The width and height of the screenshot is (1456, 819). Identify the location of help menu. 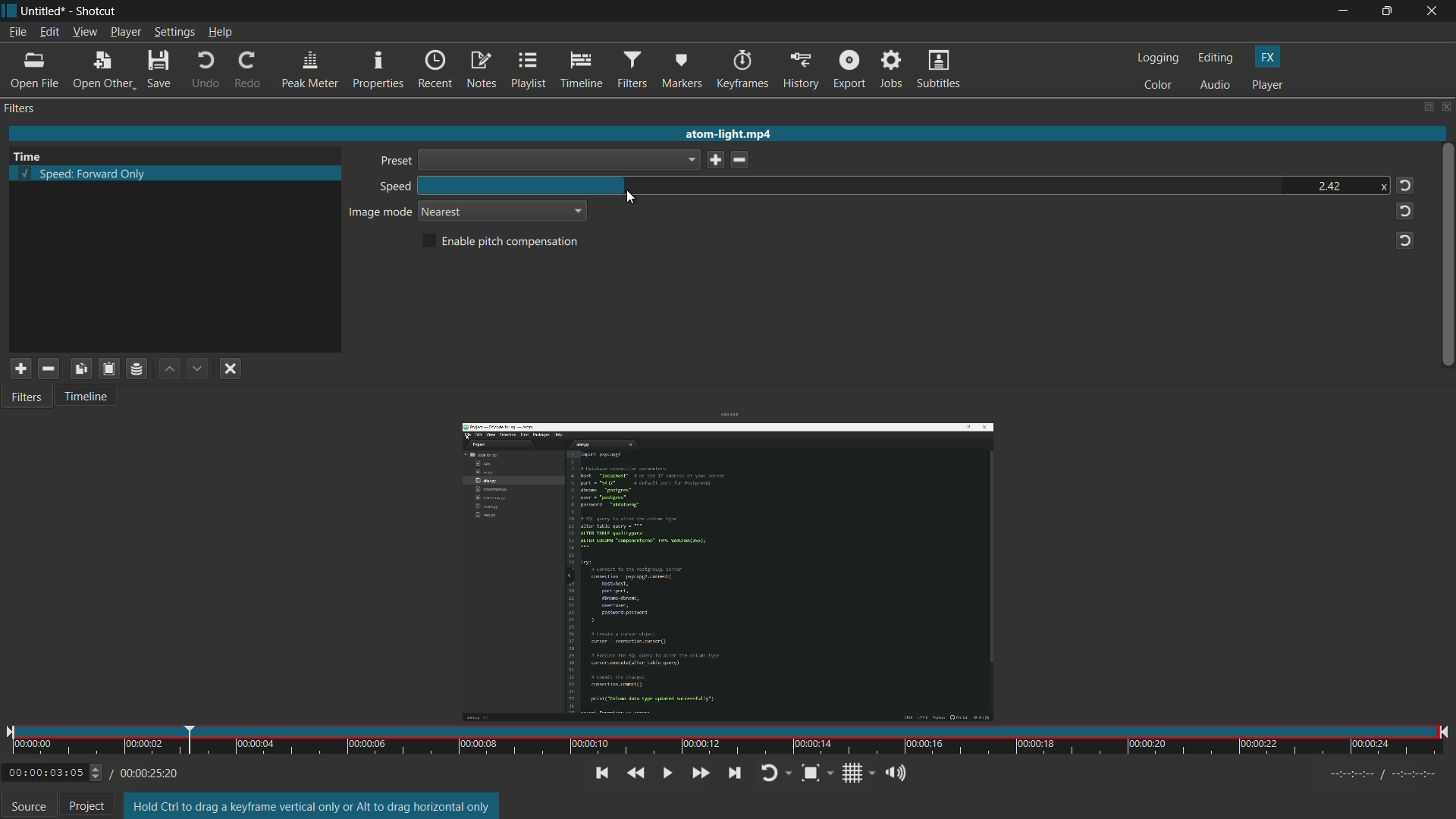
(221, 33).